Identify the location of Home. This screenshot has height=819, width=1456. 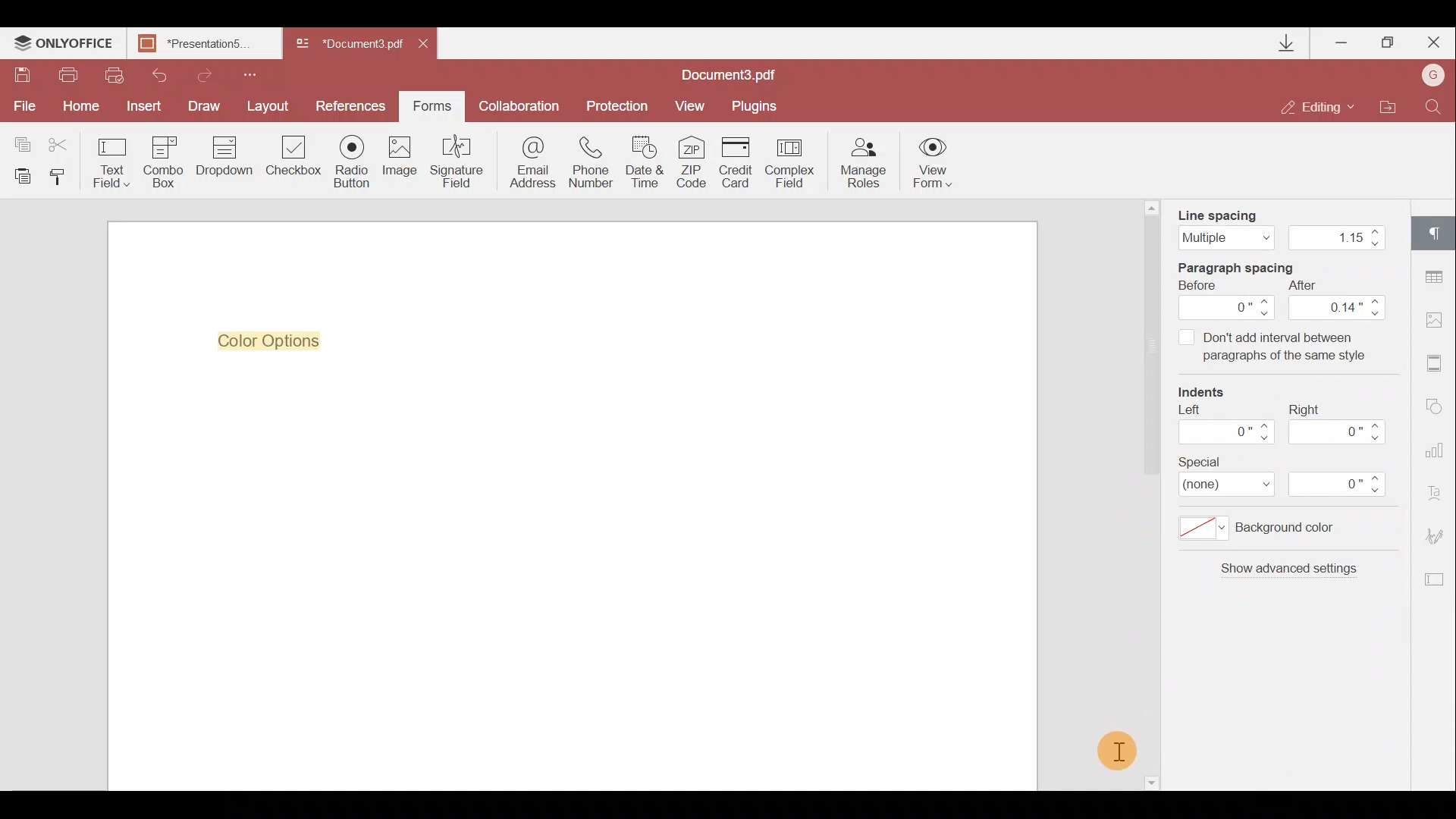
(85, 107).